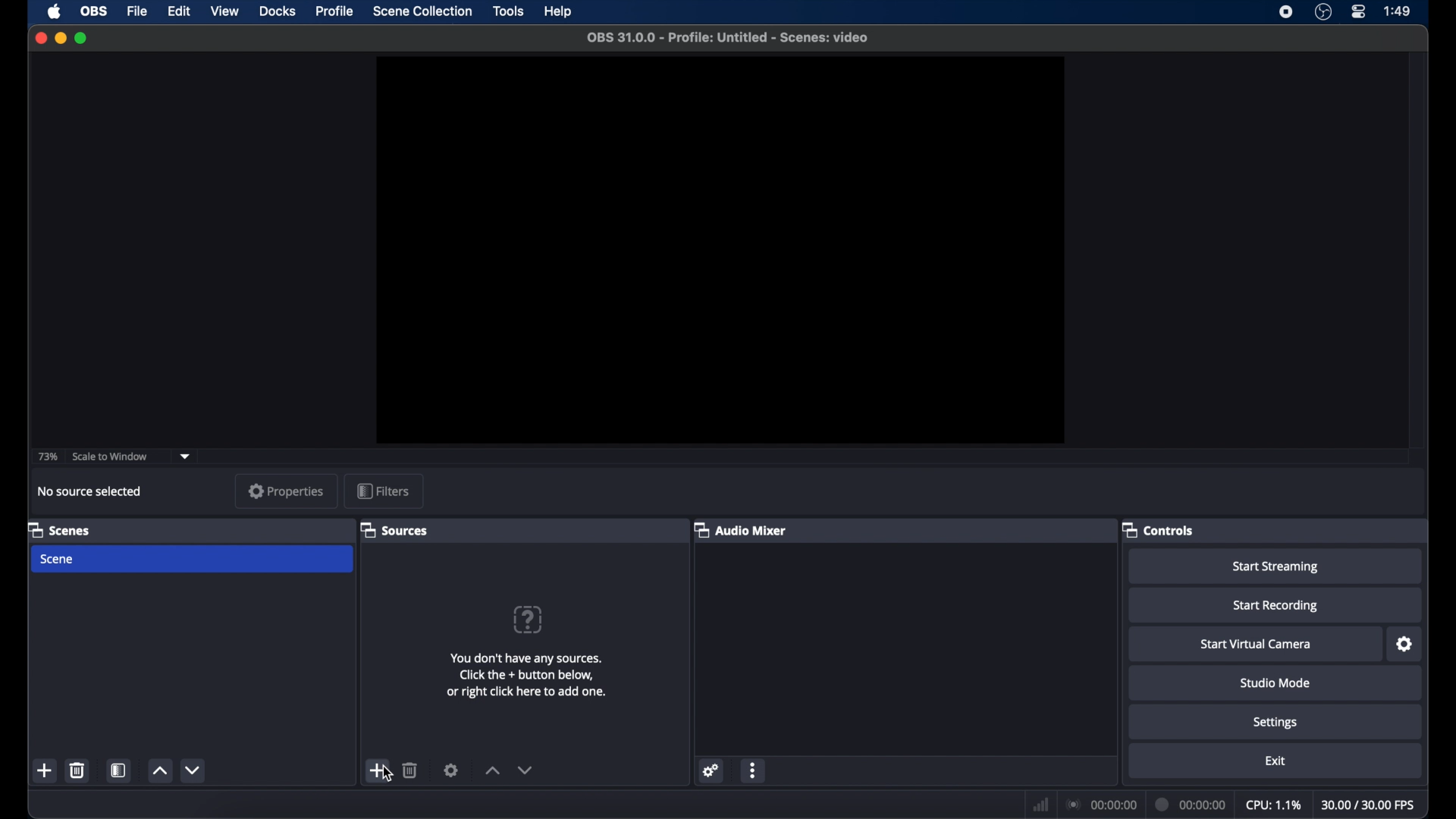 The height and width of the screenshot is (819, 1456). Describe the element at coordinates (1277, 683) in the screenshot. I see `studio mode` at that location.